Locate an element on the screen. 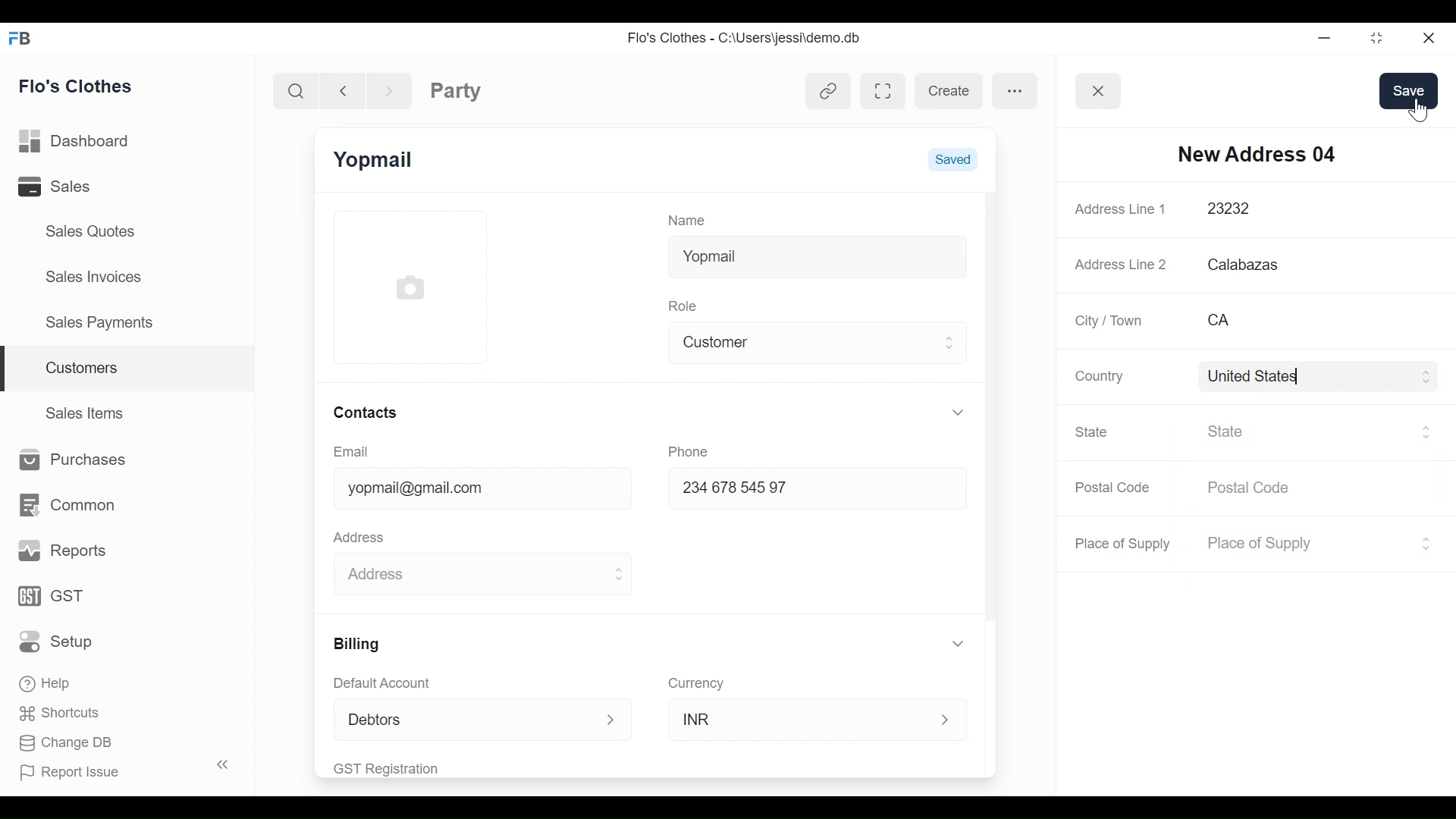 The image size is (1456, 819). Expand is located at coordinates (947, 720).